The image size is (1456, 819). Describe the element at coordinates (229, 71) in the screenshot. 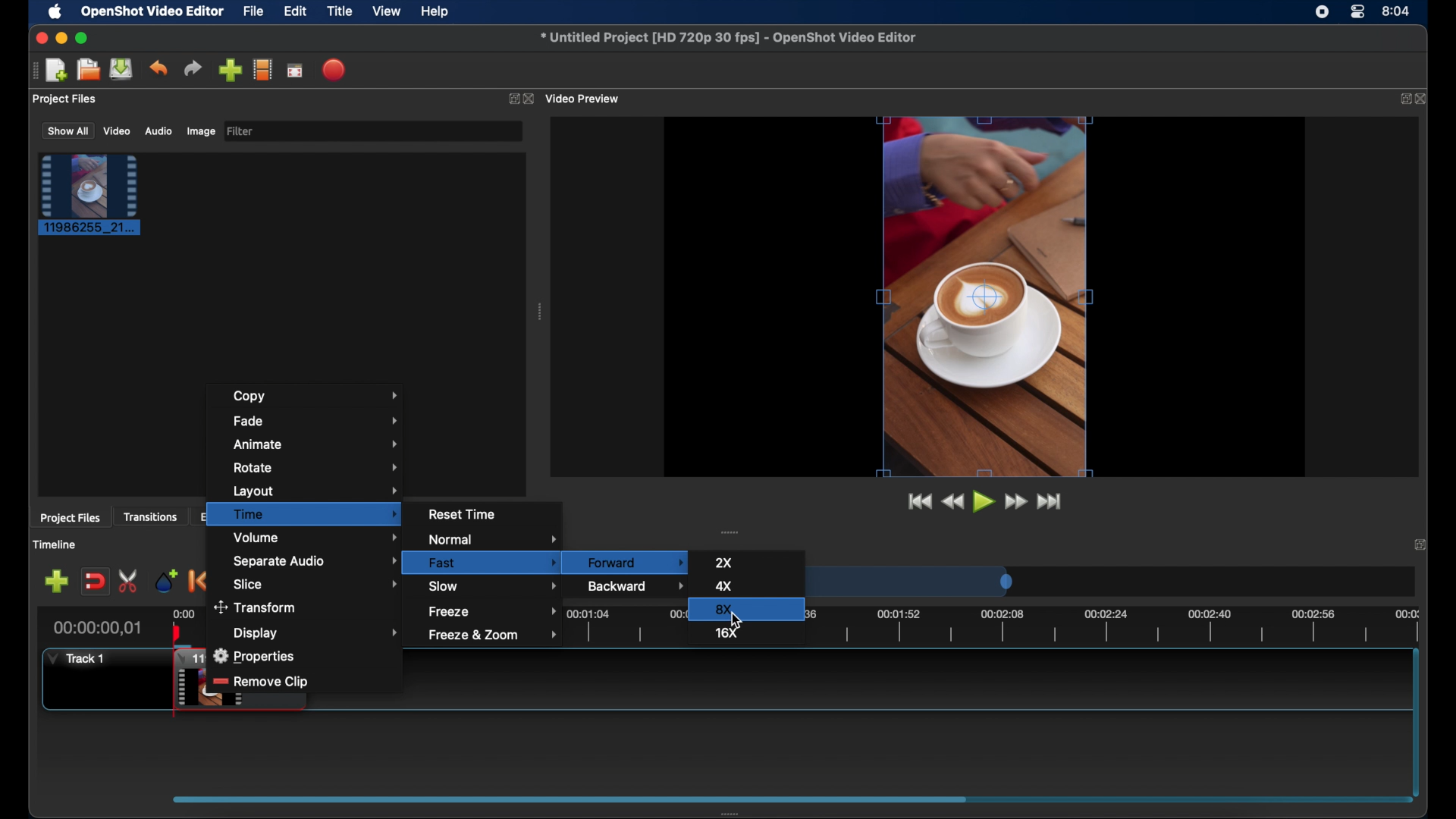

I see `import files` at that location.